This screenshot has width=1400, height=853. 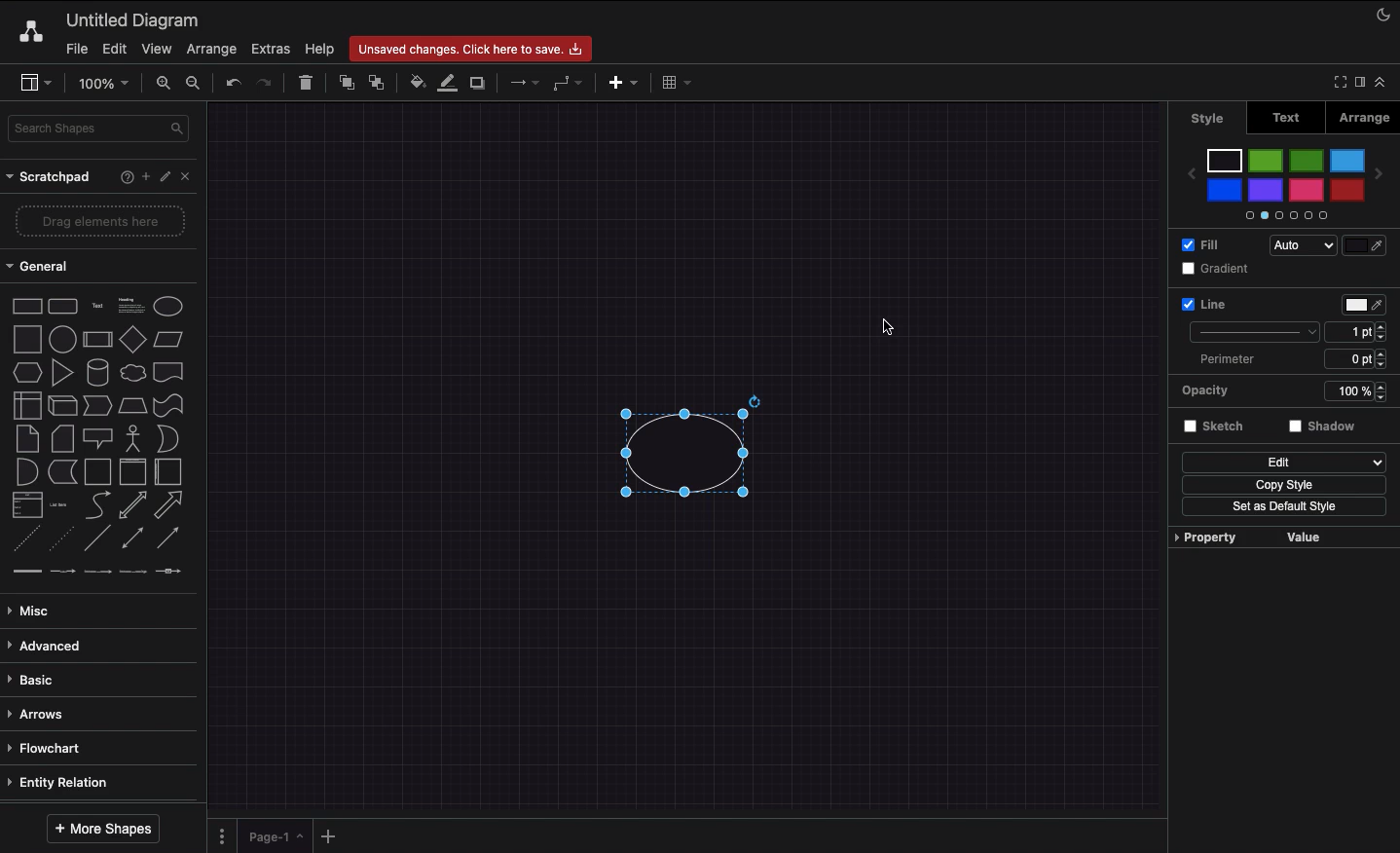 What do you see at coordinates (26, 404) in the screenshot?
I see `Internal storage` at bounding box center [26, 404].